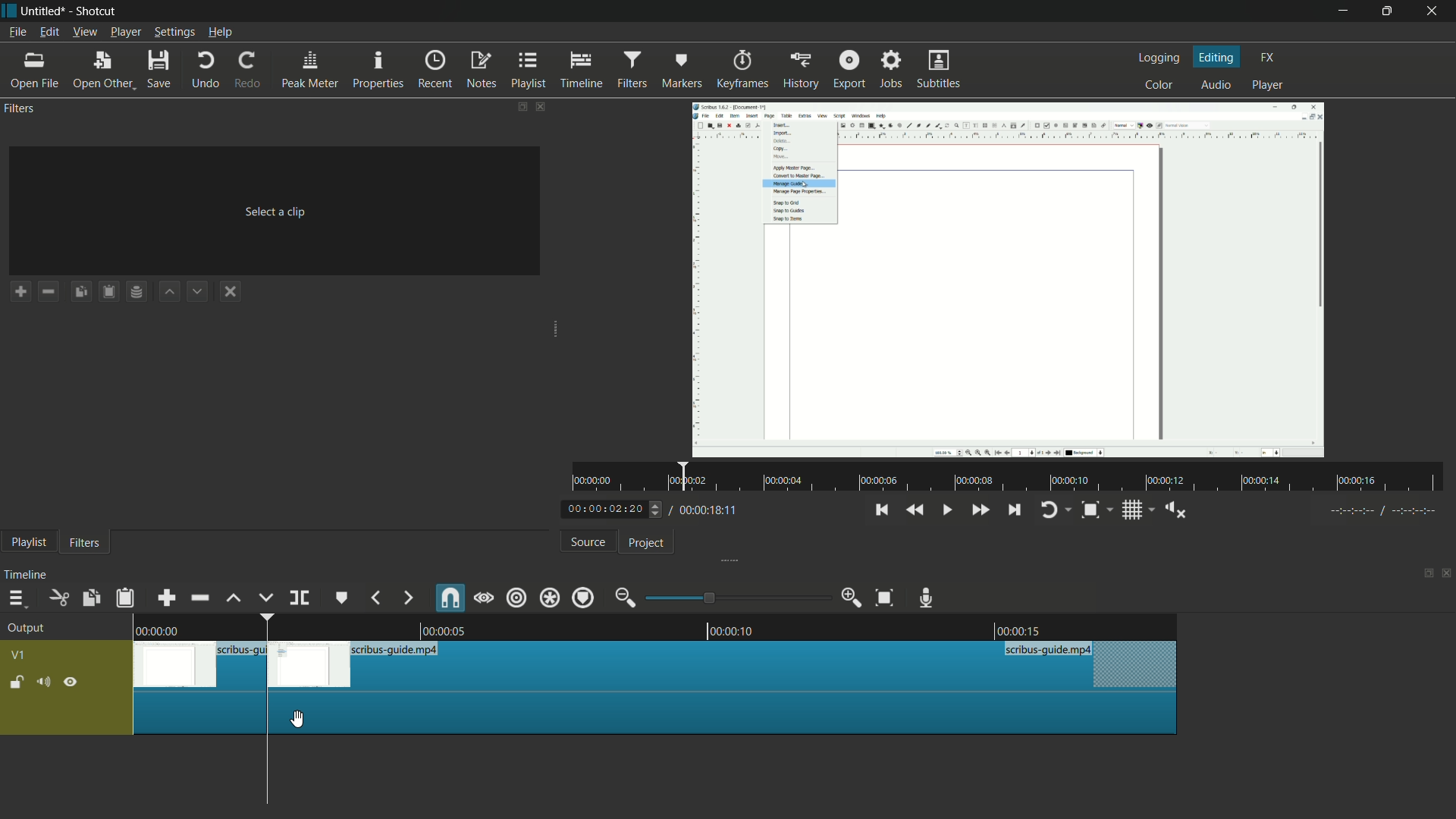 Image resolution: width=1456 pixels, height=819 pixels. Describe the element at coordinates (549, 598) in the screenshot. I see `ripple all tracks` at that location.